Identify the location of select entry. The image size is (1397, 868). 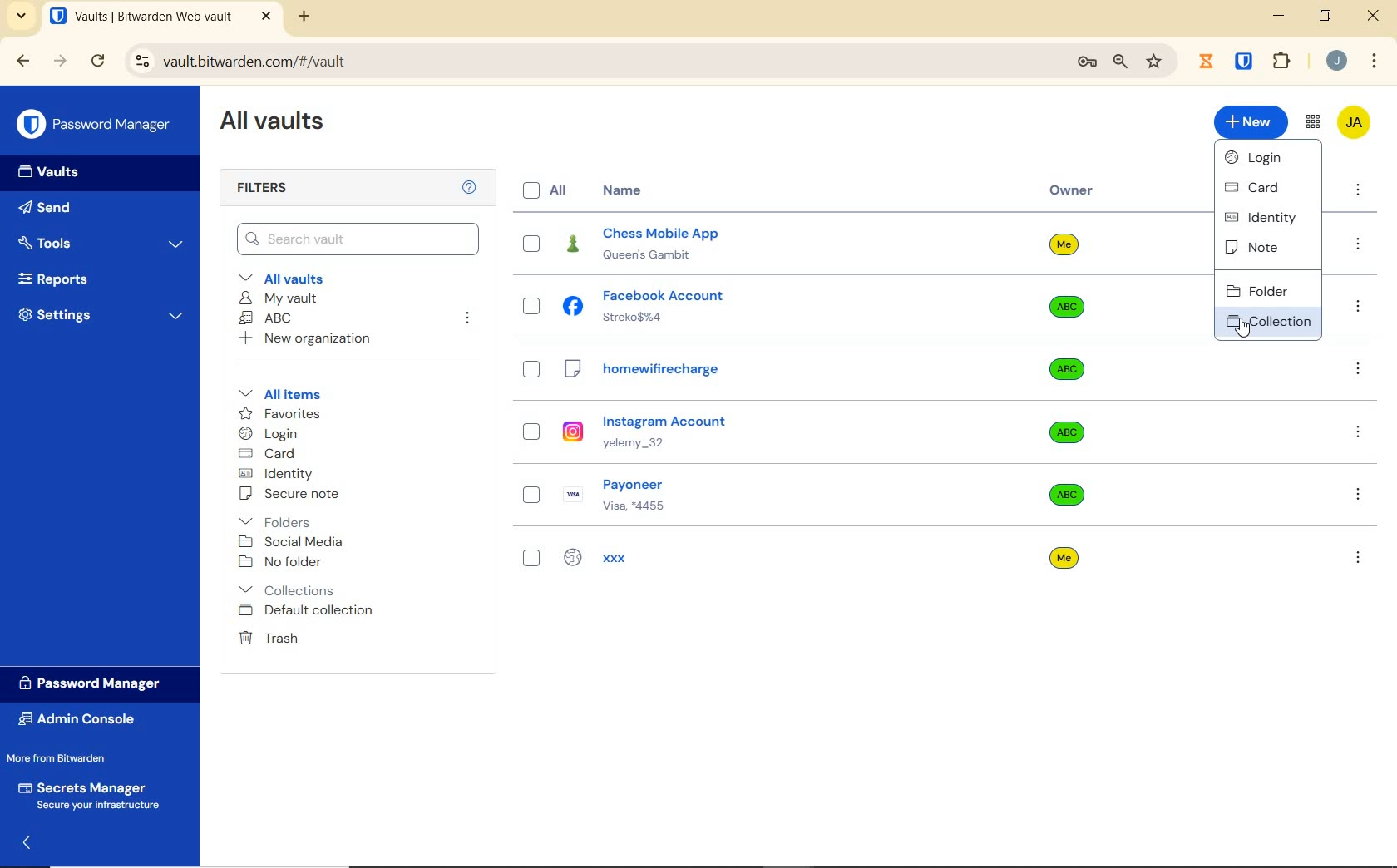
(532, 308).